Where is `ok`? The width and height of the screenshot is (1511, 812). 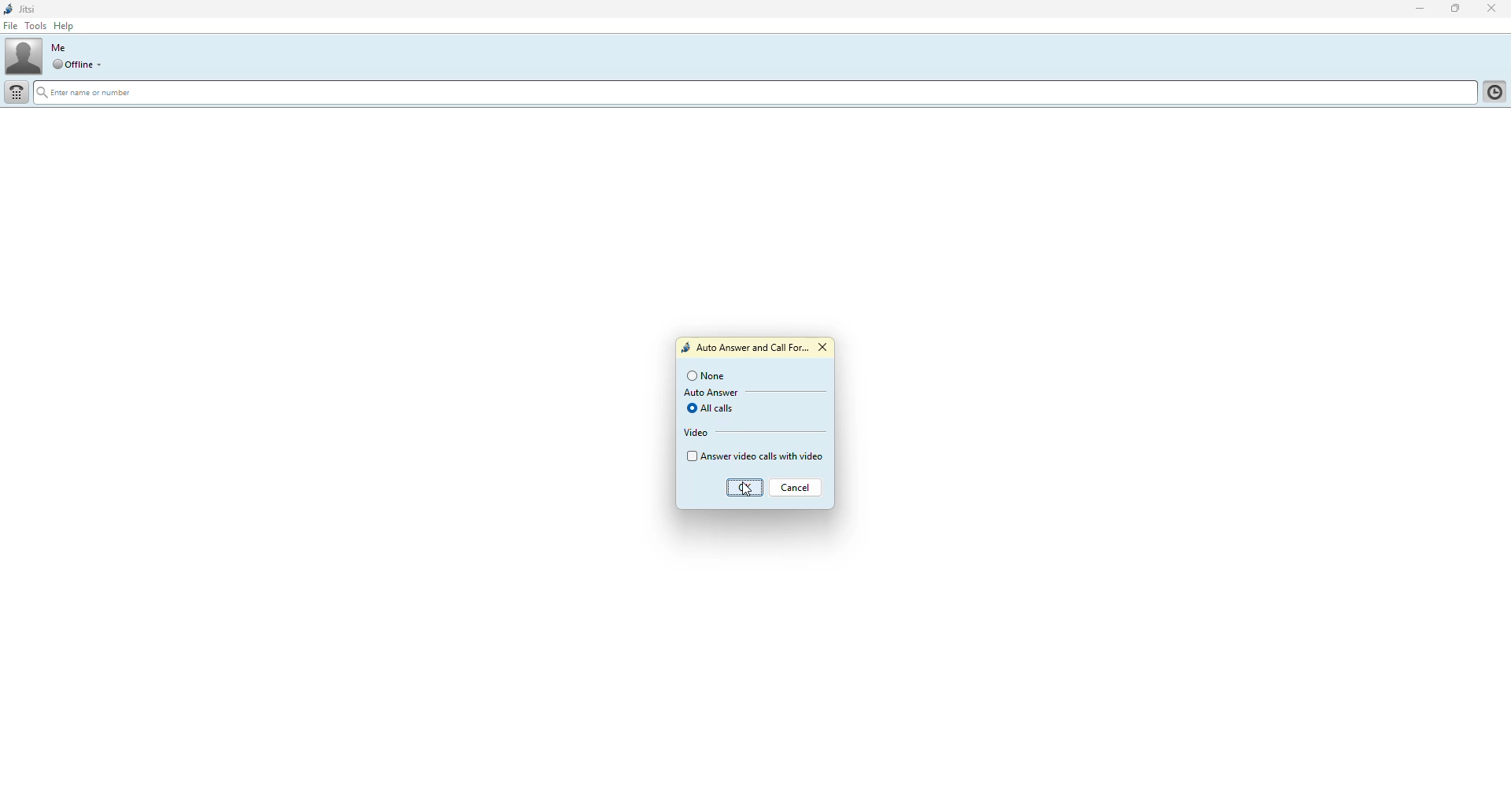
ok is located at coordinates (748, 489).